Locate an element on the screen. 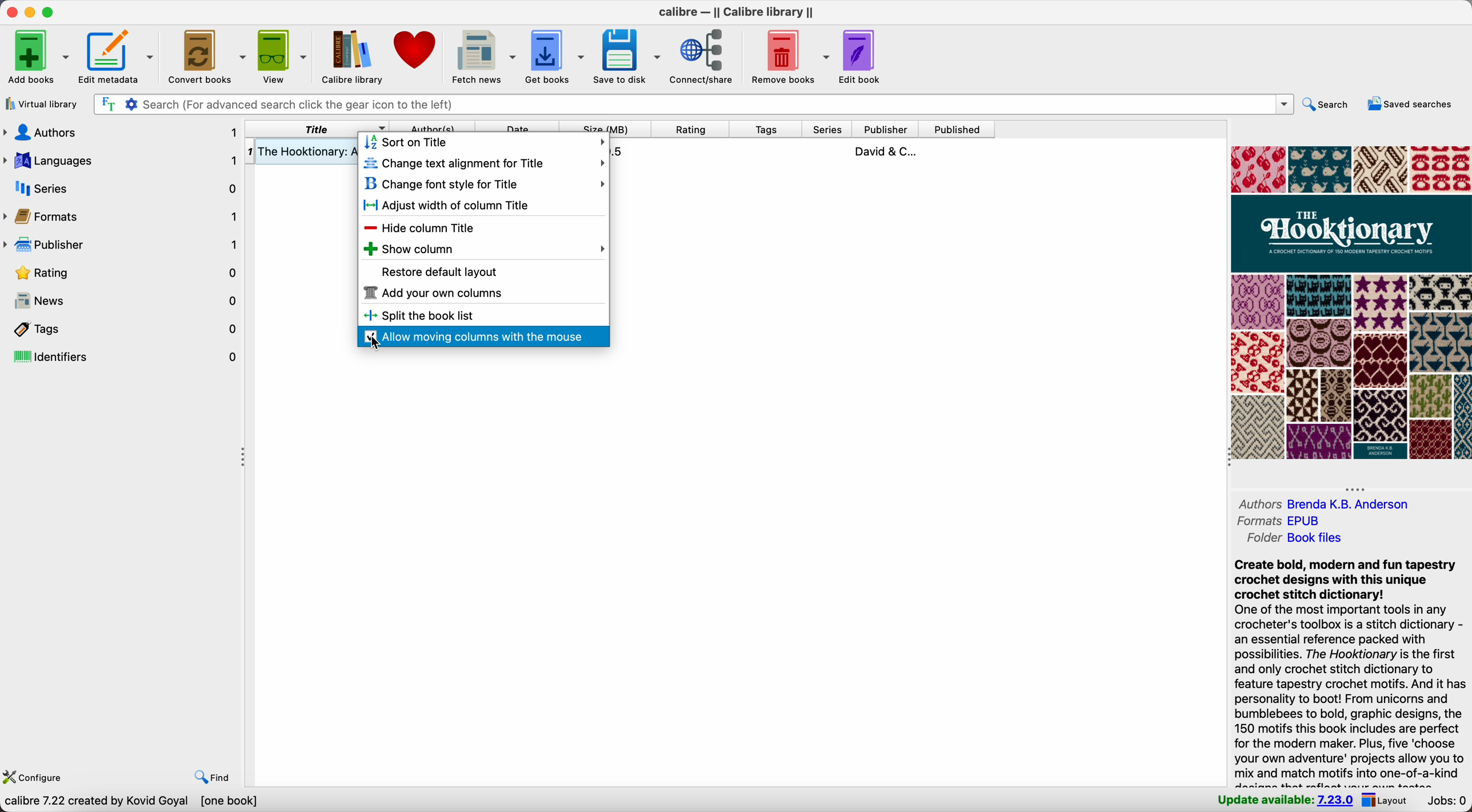  publisher is located at coordinates (887, 129).